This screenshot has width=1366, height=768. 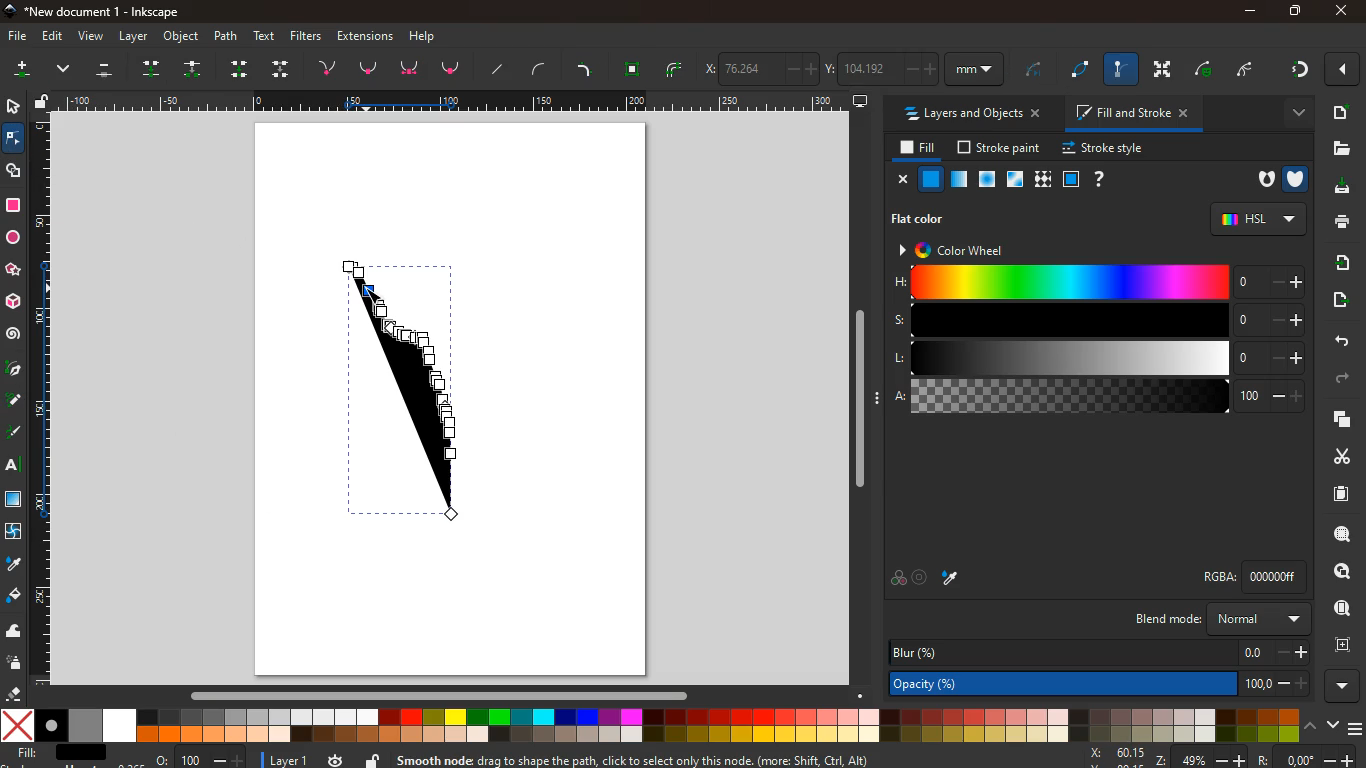 What do you see at coordinates (1097, 179) in the screenshot?
I see `help` at bounding box center [1097, 179].